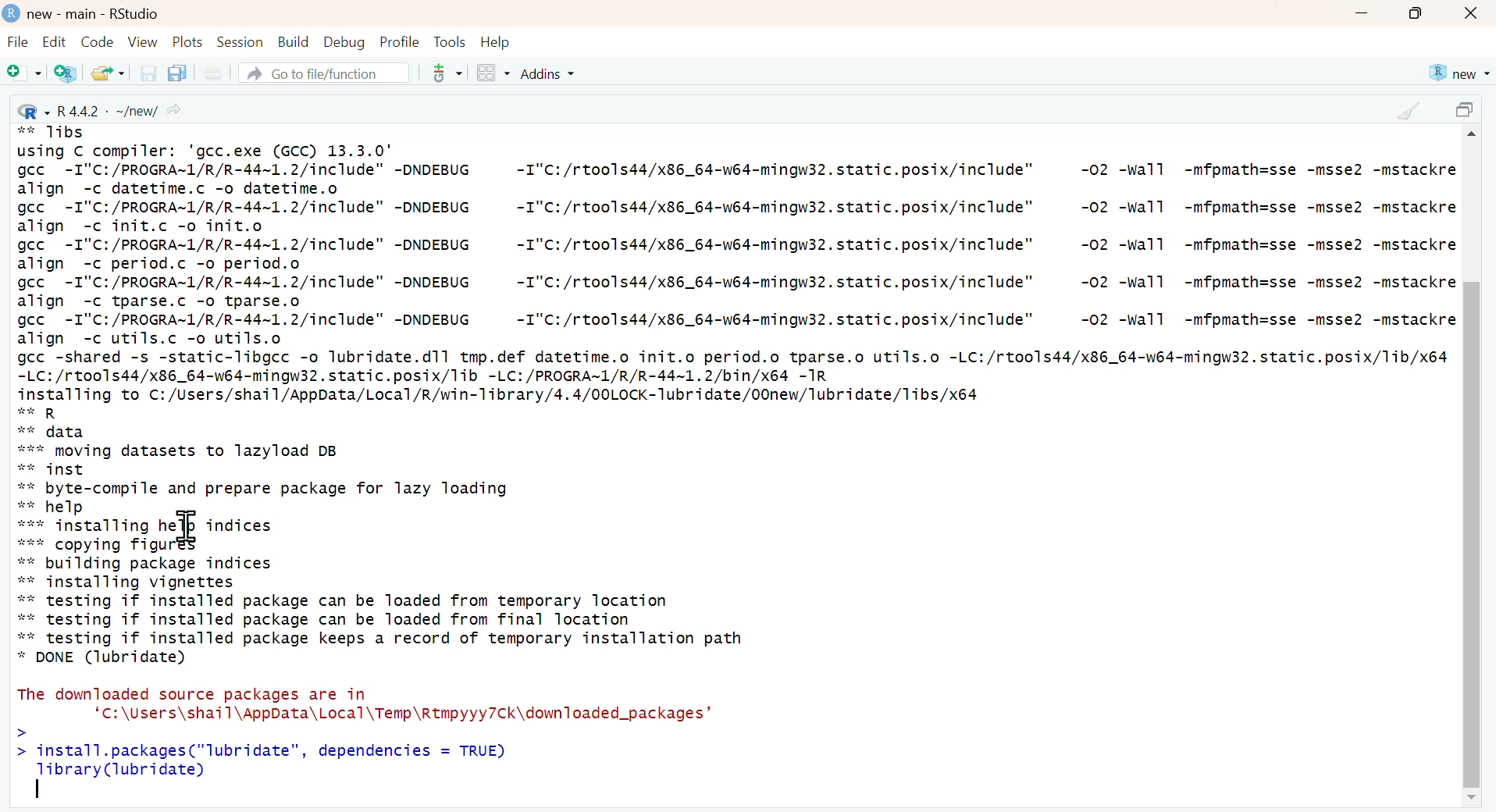 The width and height of the screenshot is (1496, 812). I want to click on Code, so click(95, 41).